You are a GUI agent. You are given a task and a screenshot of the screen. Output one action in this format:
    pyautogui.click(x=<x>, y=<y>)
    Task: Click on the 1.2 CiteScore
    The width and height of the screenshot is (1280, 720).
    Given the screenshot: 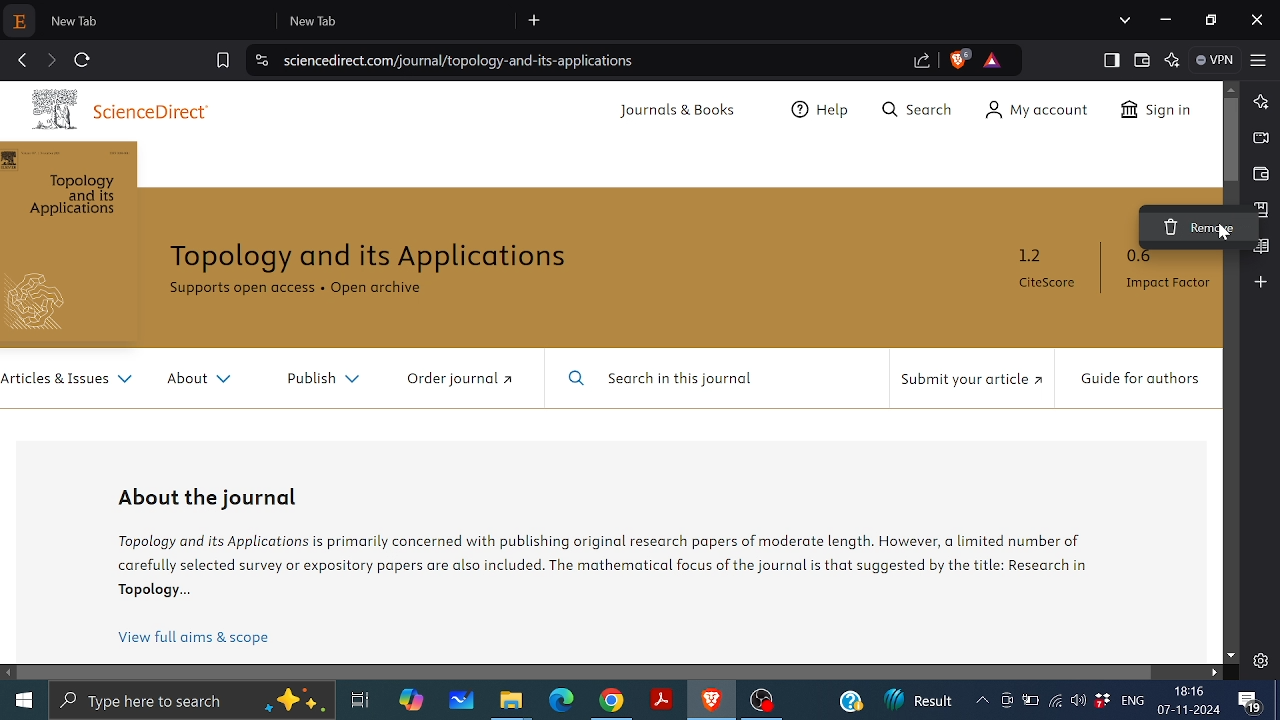 What is the action you would take?
    pyautogui.click(x=1052, y=270)
    